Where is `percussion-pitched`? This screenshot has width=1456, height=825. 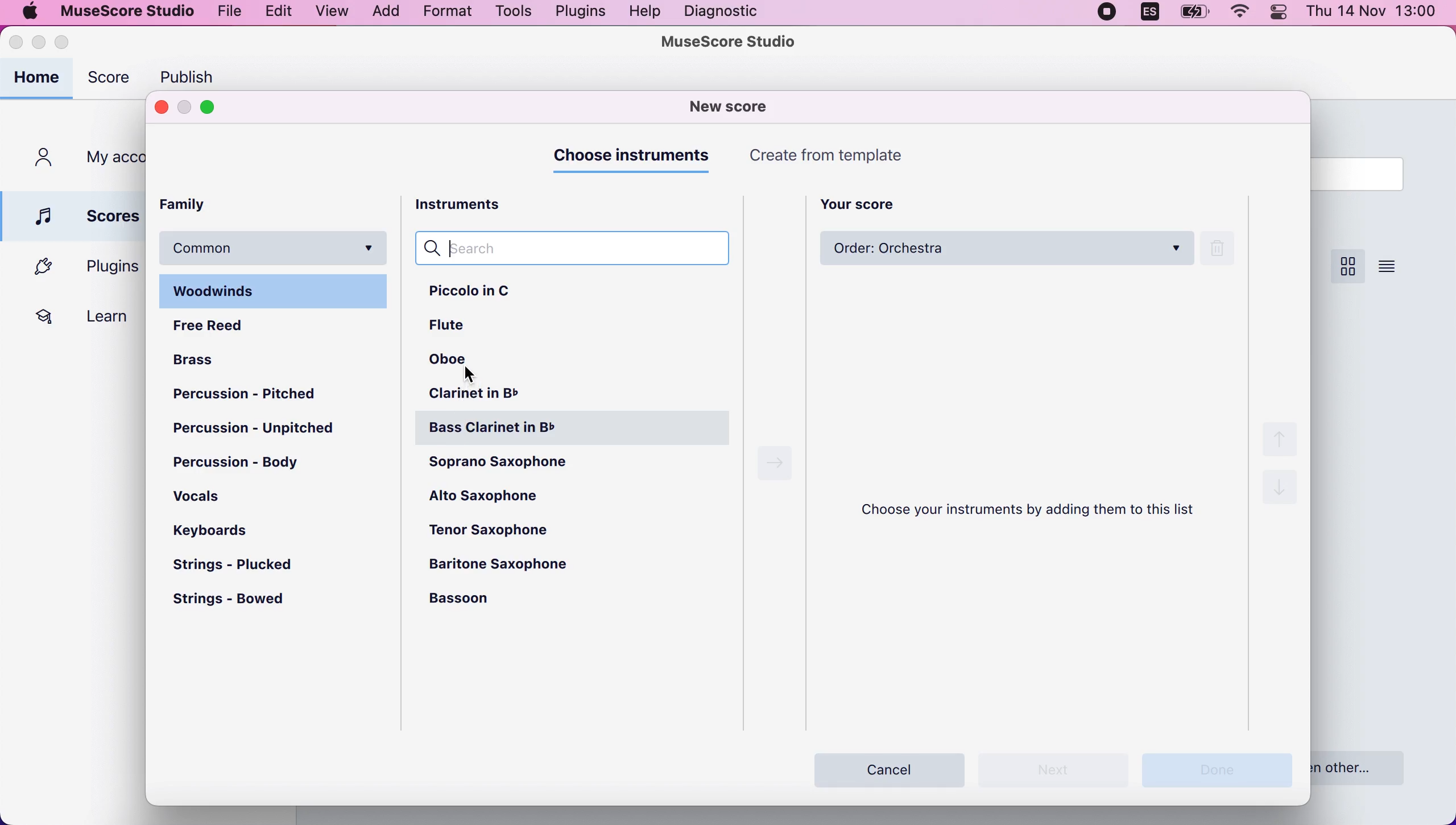
percussion-pitched is located at coordinates (257, 394).